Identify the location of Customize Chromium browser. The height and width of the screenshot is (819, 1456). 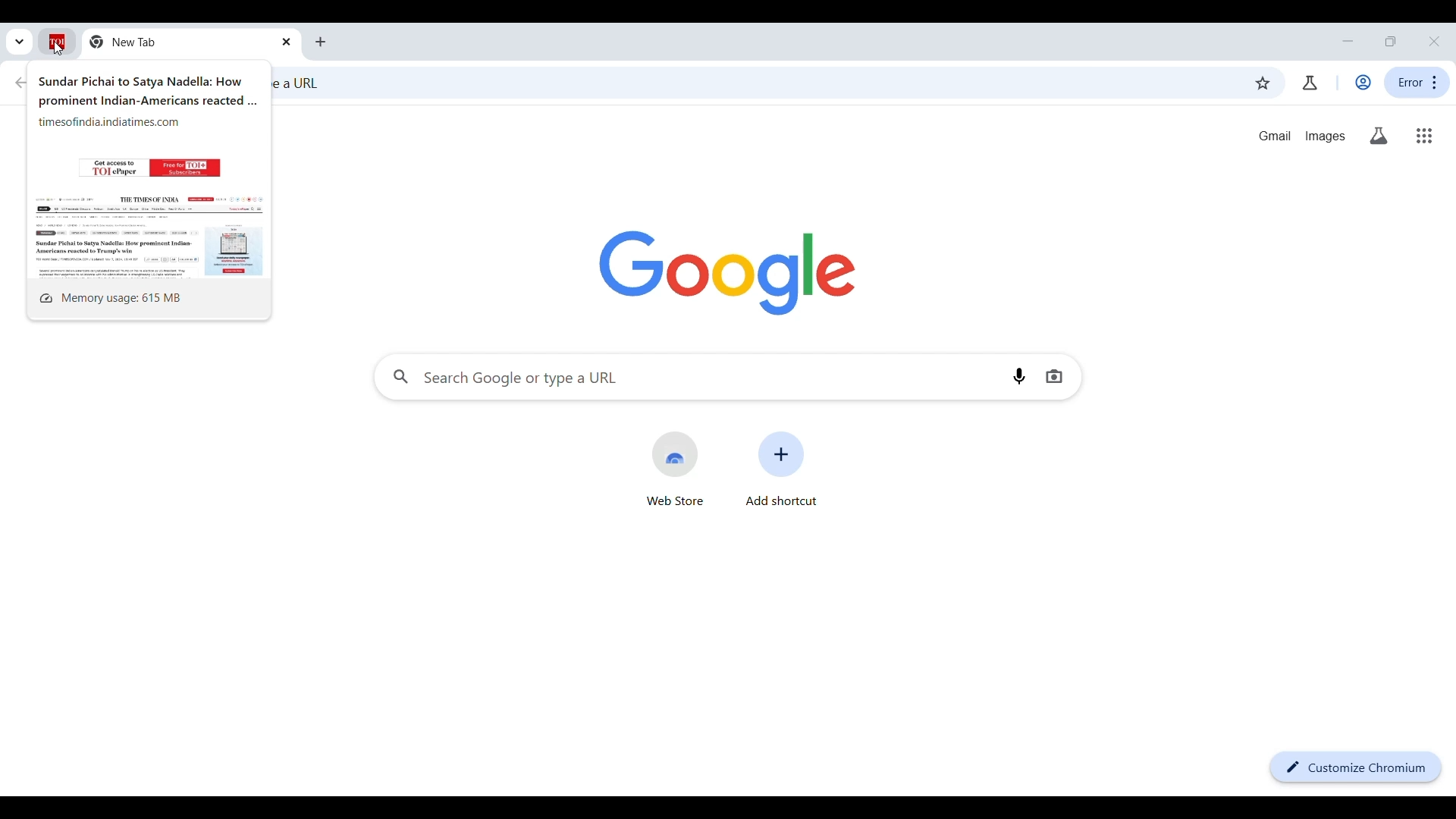
(1355, 767).